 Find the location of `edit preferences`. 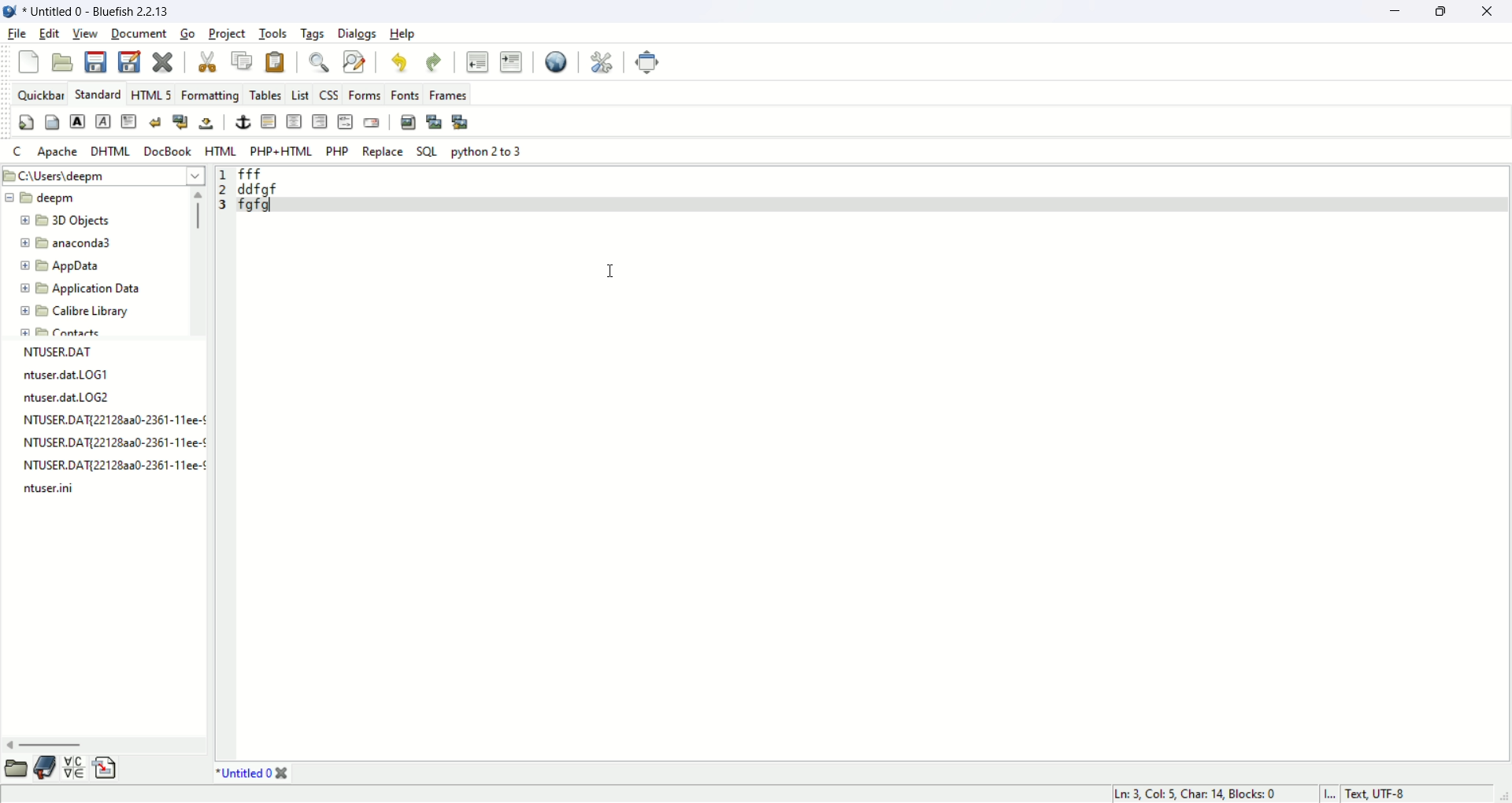

edit preferences is located at coordinates (602, 61).